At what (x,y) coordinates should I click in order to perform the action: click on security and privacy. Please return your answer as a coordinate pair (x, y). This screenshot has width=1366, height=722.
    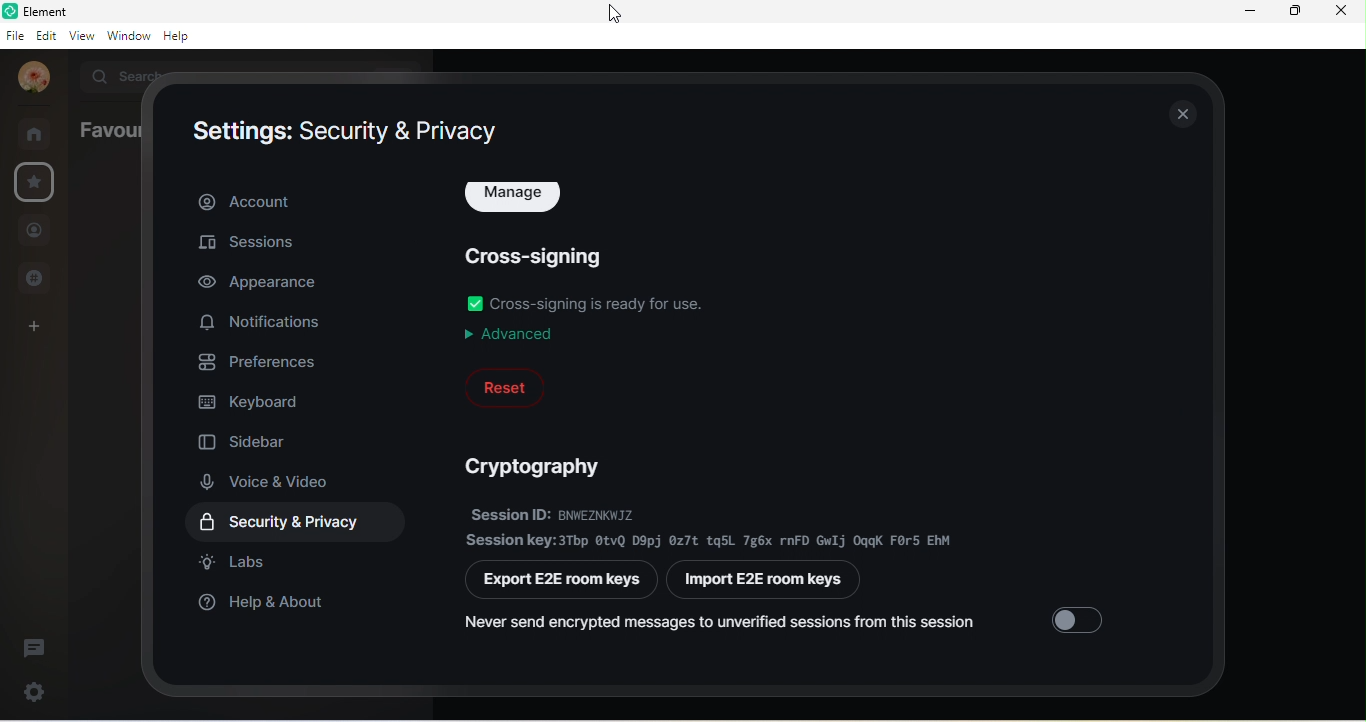
    Looking at the image, I should click on (302, 522).